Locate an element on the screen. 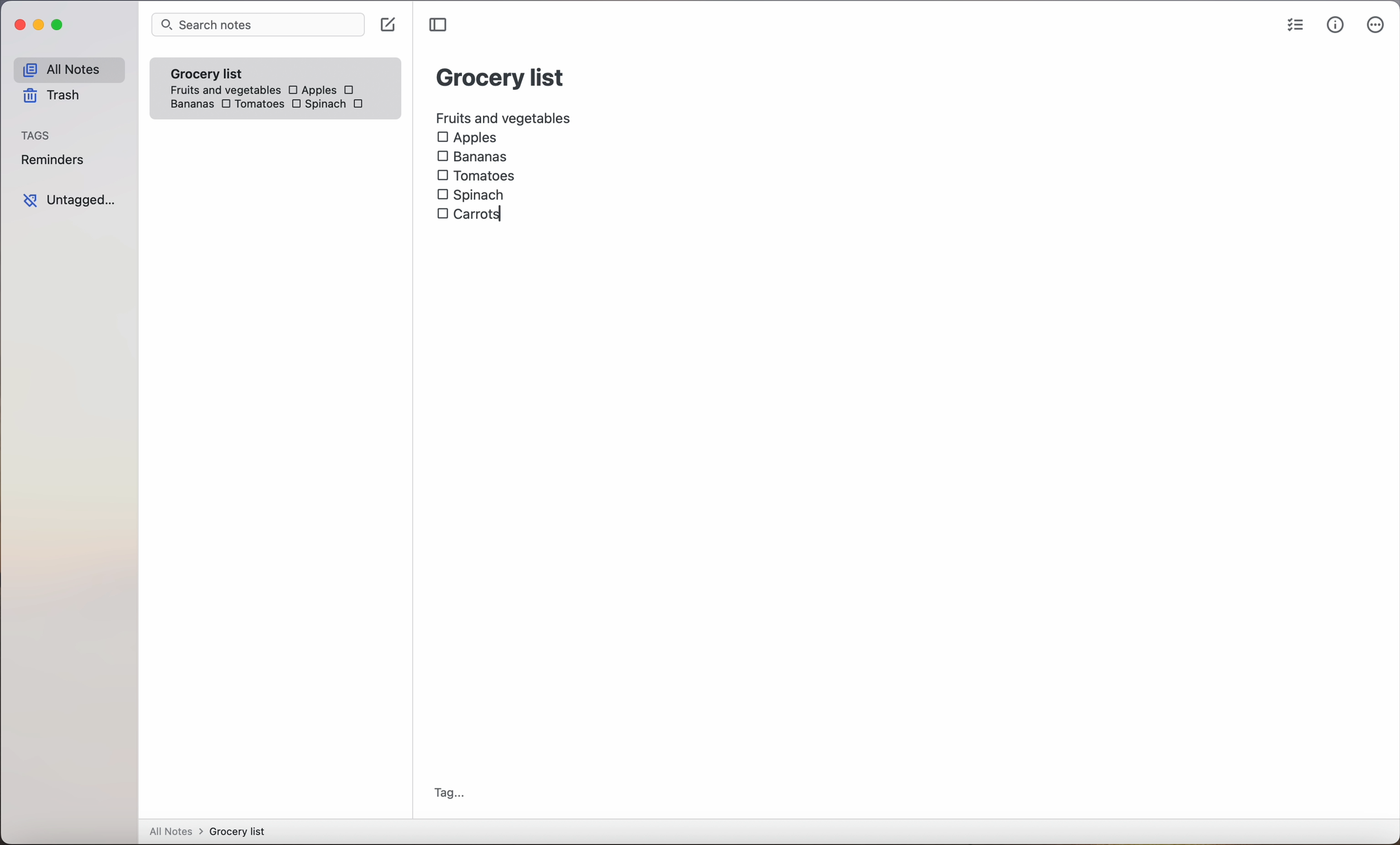 The width and height of the screenshot is (1400, 845). close Simplenote is located at coordinates (19, 26).